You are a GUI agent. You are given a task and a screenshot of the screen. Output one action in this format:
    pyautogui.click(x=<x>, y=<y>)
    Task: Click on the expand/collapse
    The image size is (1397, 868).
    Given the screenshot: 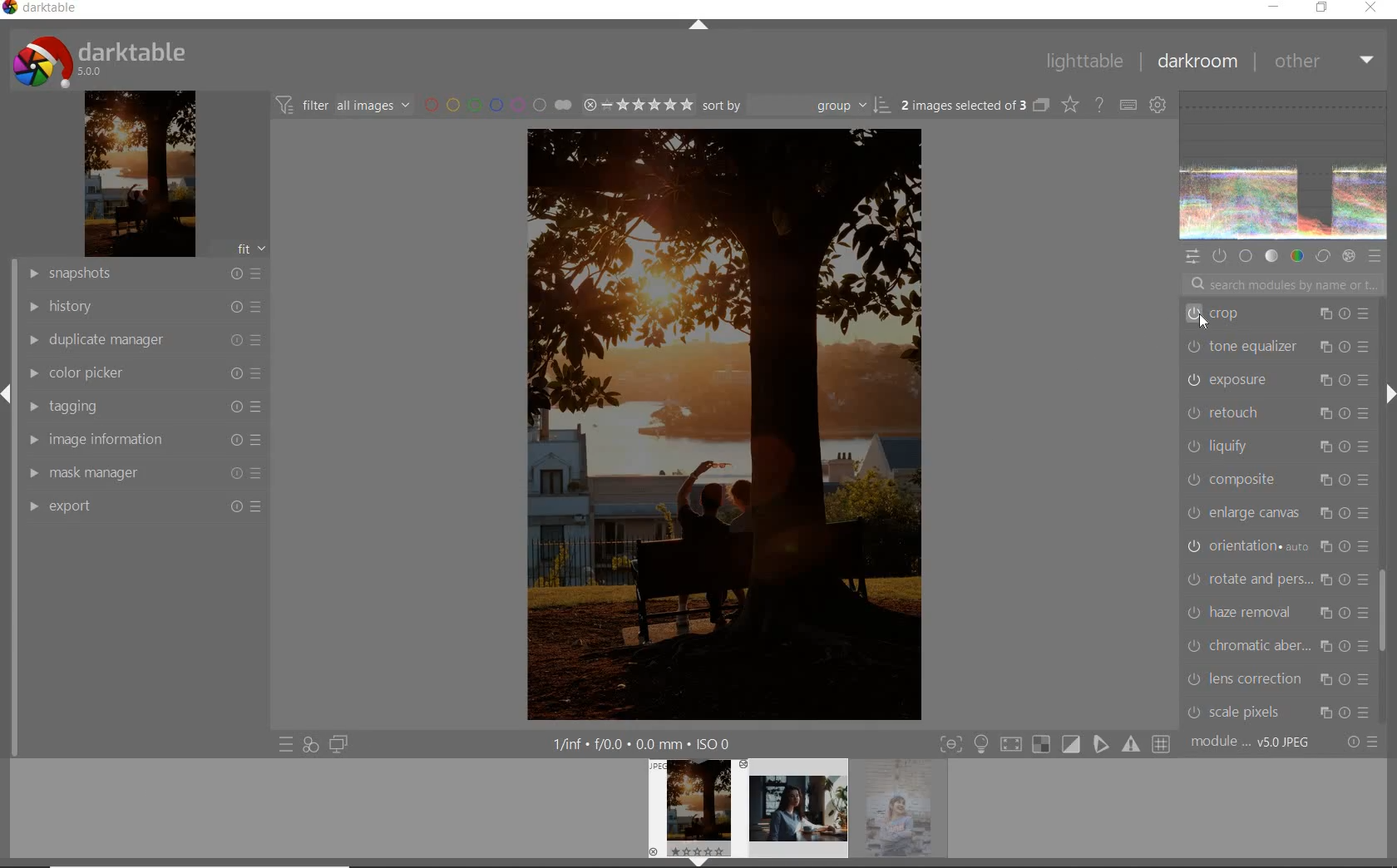 What is the action you would take?
    pyautogui.click(x=698, y=28)
    